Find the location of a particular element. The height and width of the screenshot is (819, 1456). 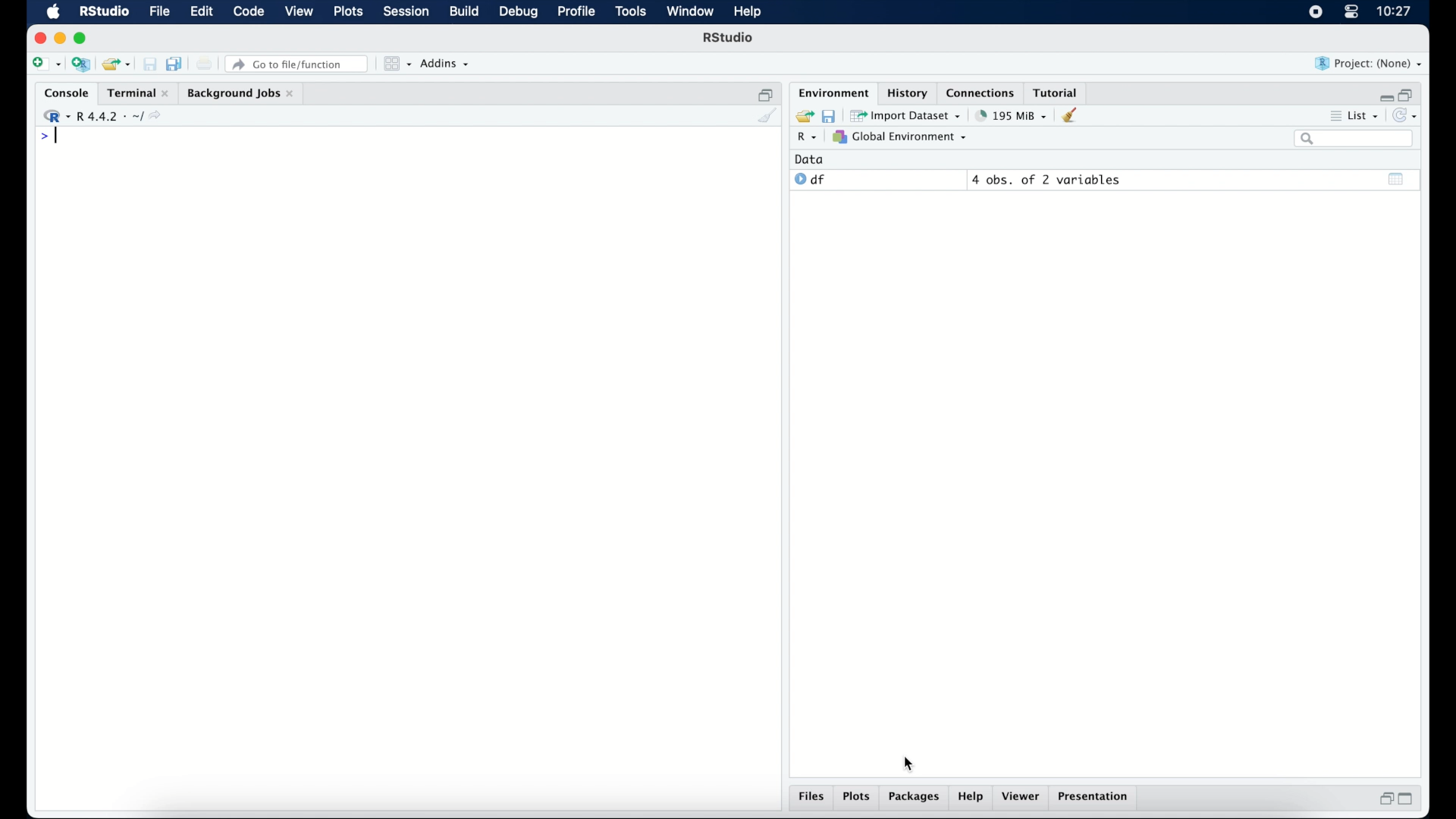

profile is located at coordinates (576, 12).